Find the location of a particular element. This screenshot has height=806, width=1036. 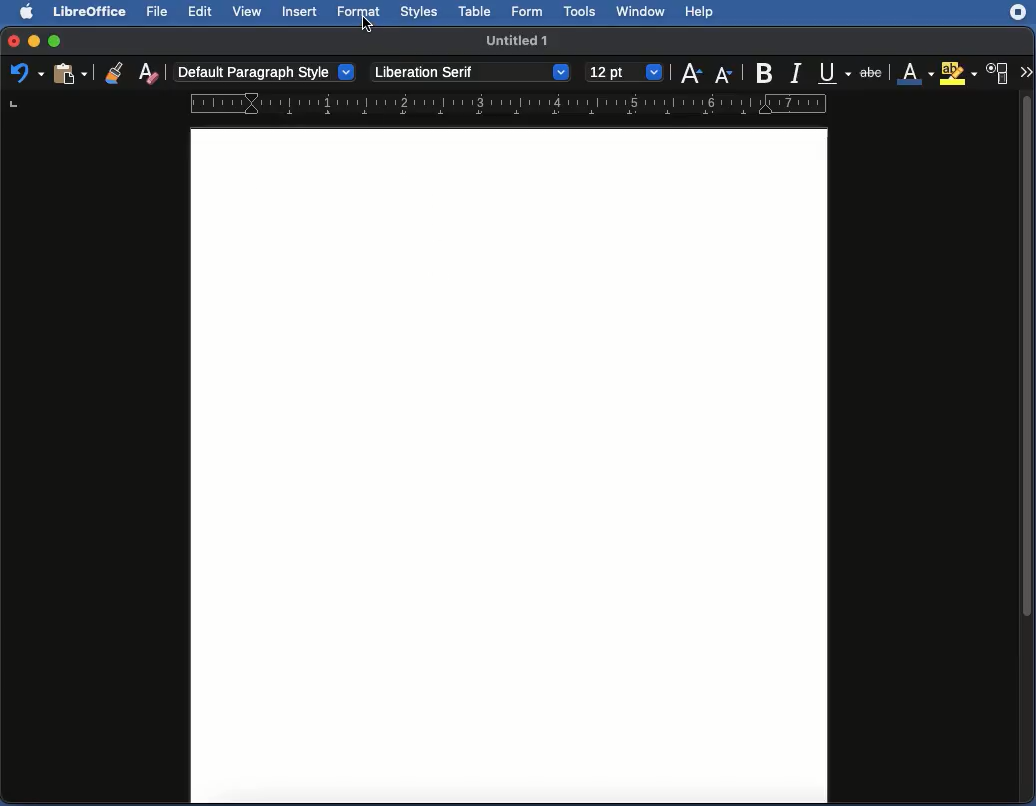

Clear formatting  is located at coordinates (148, 75).